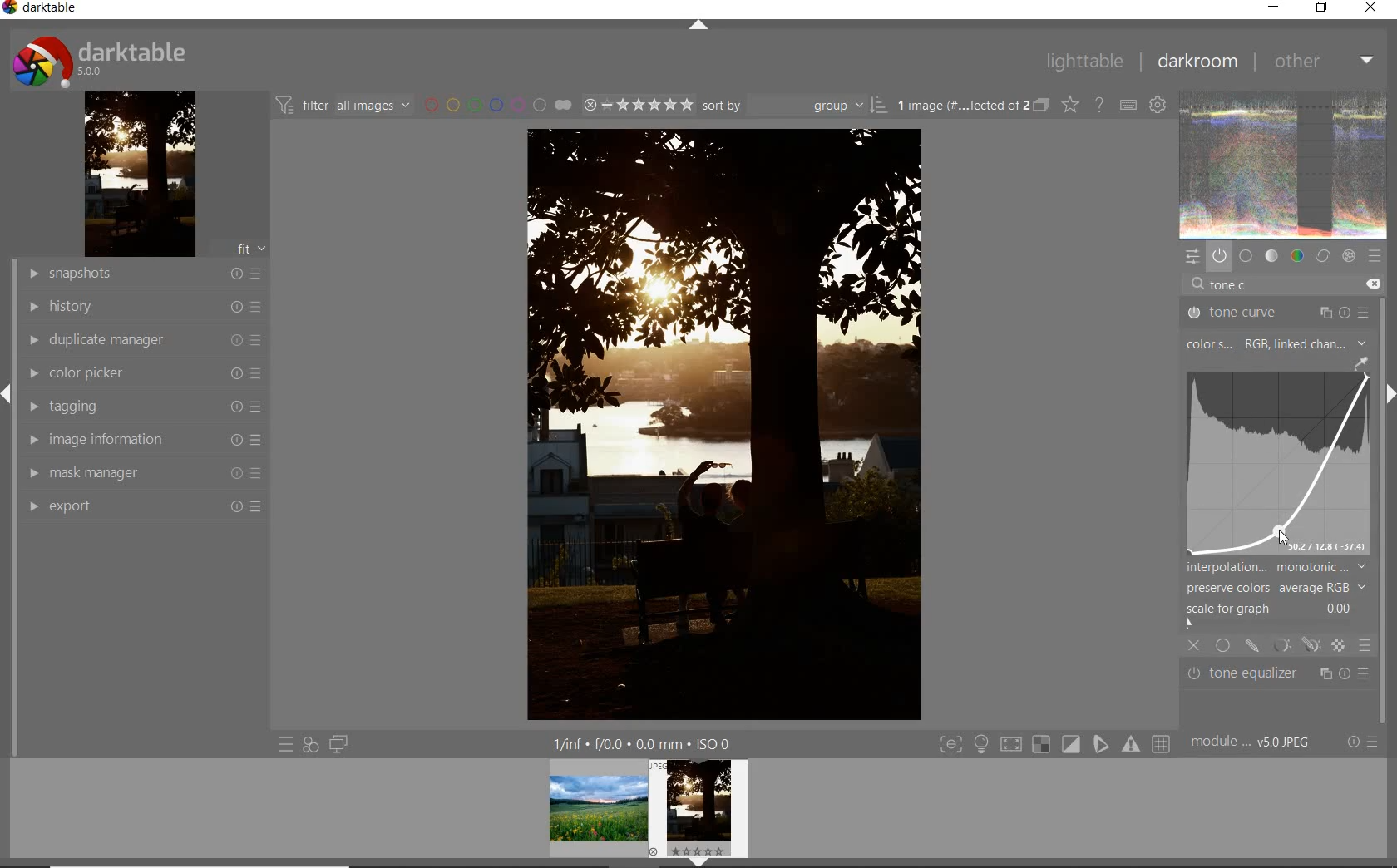 The width and height of the screenshot is (1397, 868). I want to click on preserve colors, so click(1274, 588).